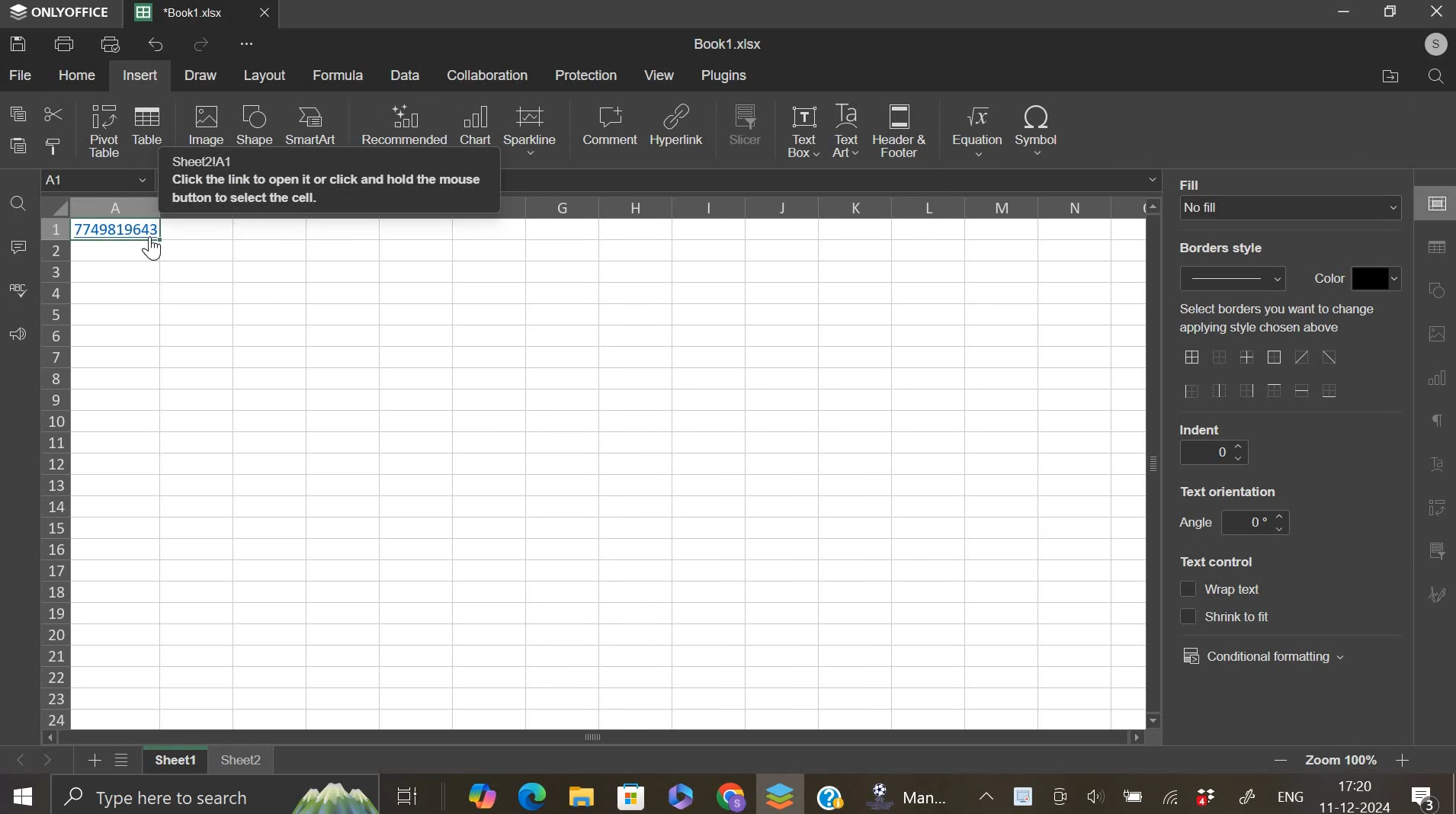 This screenshot has width=1456, height=814. Describe the element at coordinates (266, 75) in the screenshot. I see `layout` at that location.